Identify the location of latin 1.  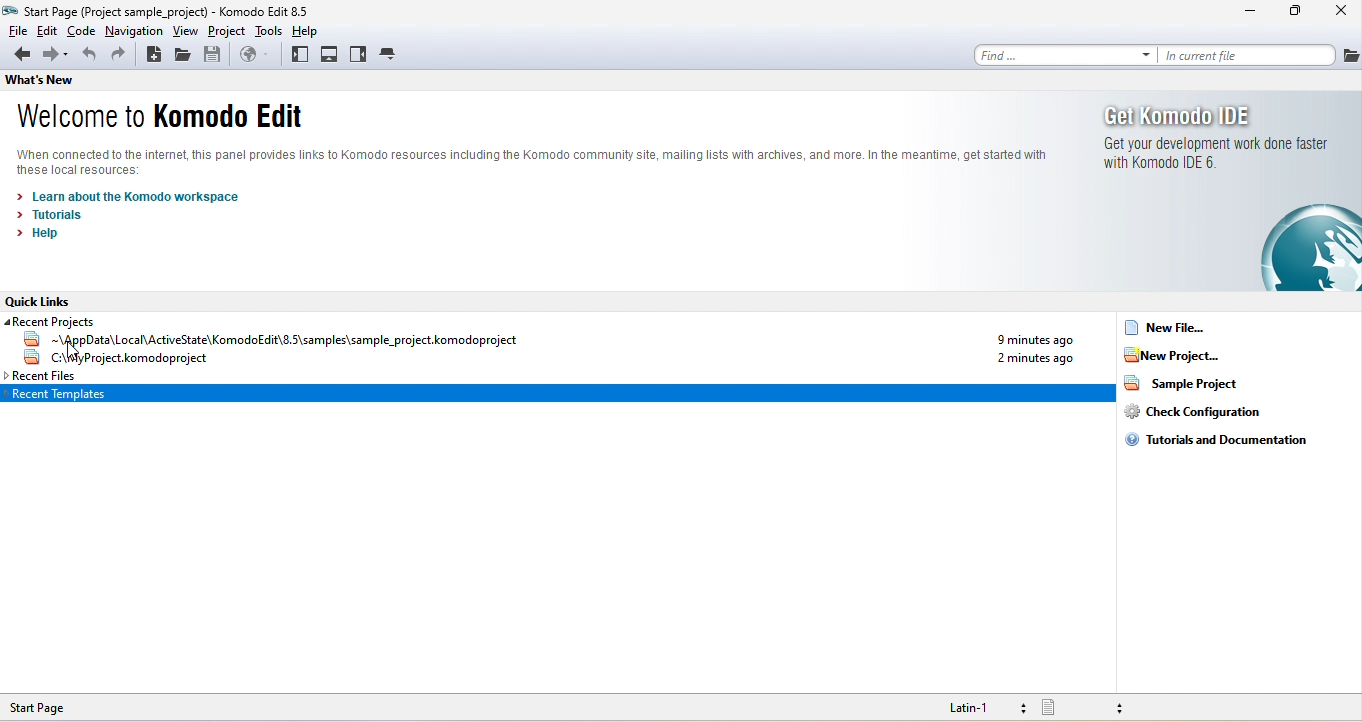
(973, 707).